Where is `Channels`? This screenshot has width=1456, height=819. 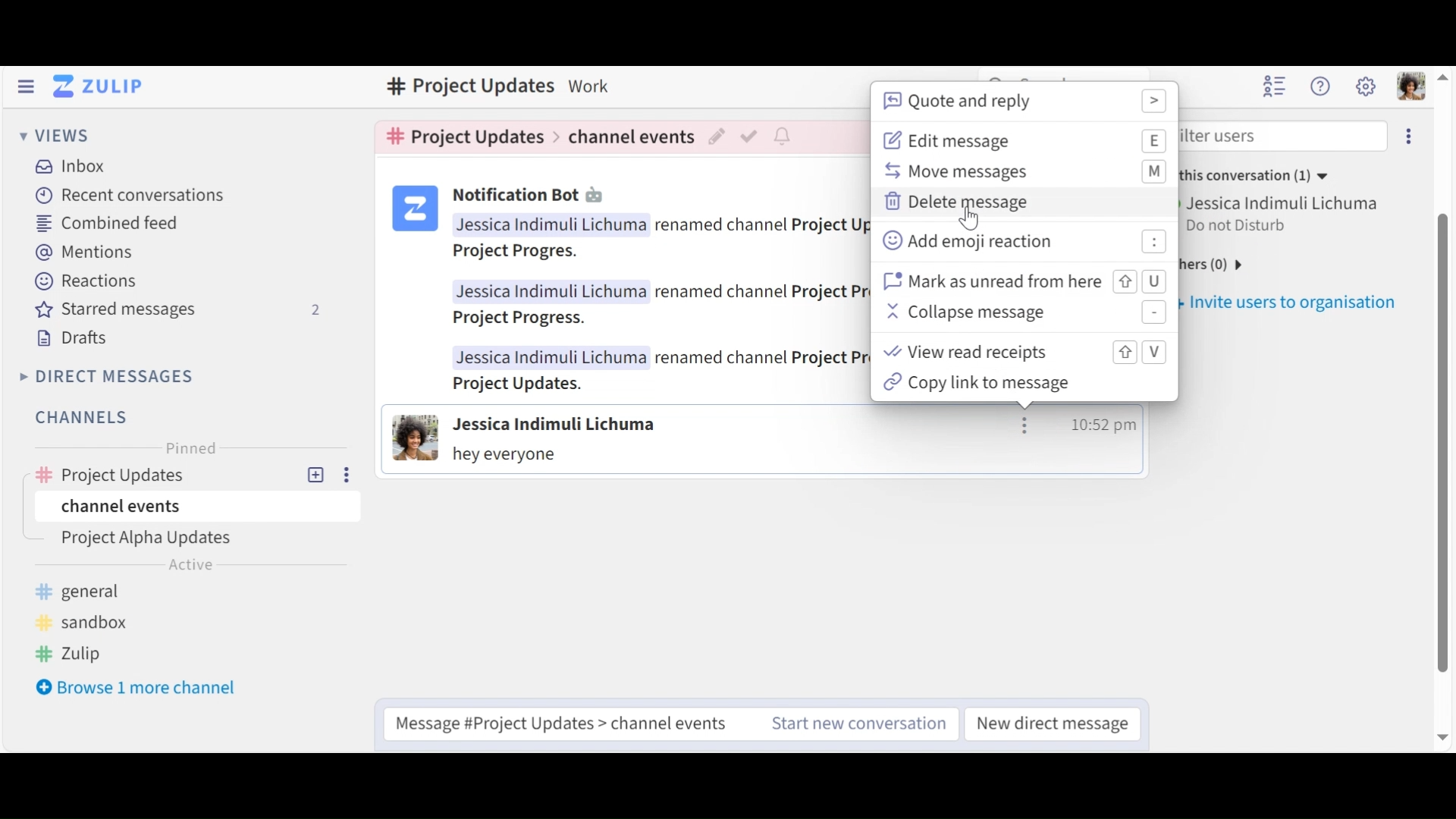 Channels is located at coordinates (80, 417).